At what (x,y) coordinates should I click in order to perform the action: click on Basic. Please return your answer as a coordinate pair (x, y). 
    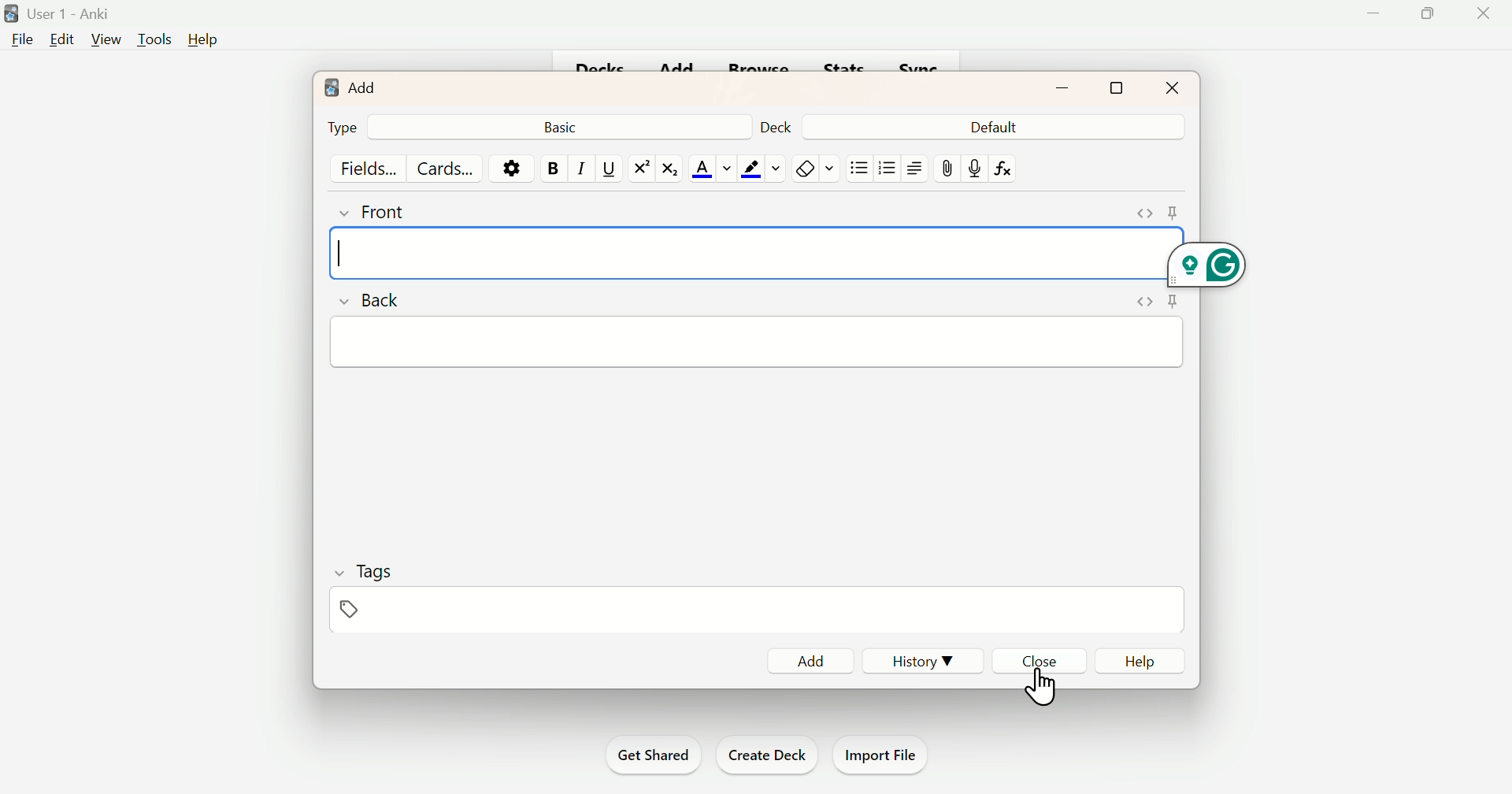
    Looking at the image, I should click on (566, 127).